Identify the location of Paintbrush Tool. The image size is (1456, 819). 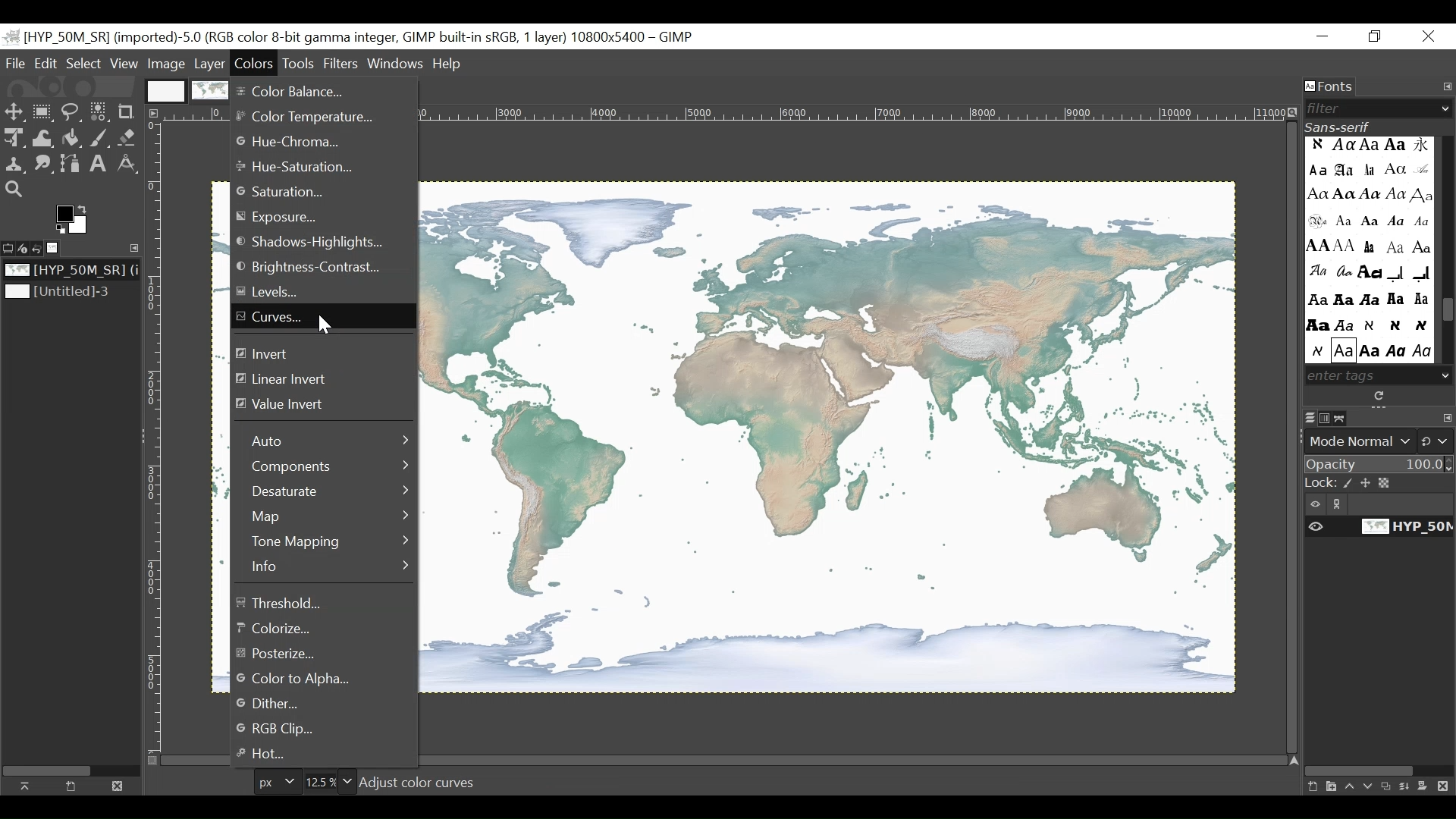
(101, 140).